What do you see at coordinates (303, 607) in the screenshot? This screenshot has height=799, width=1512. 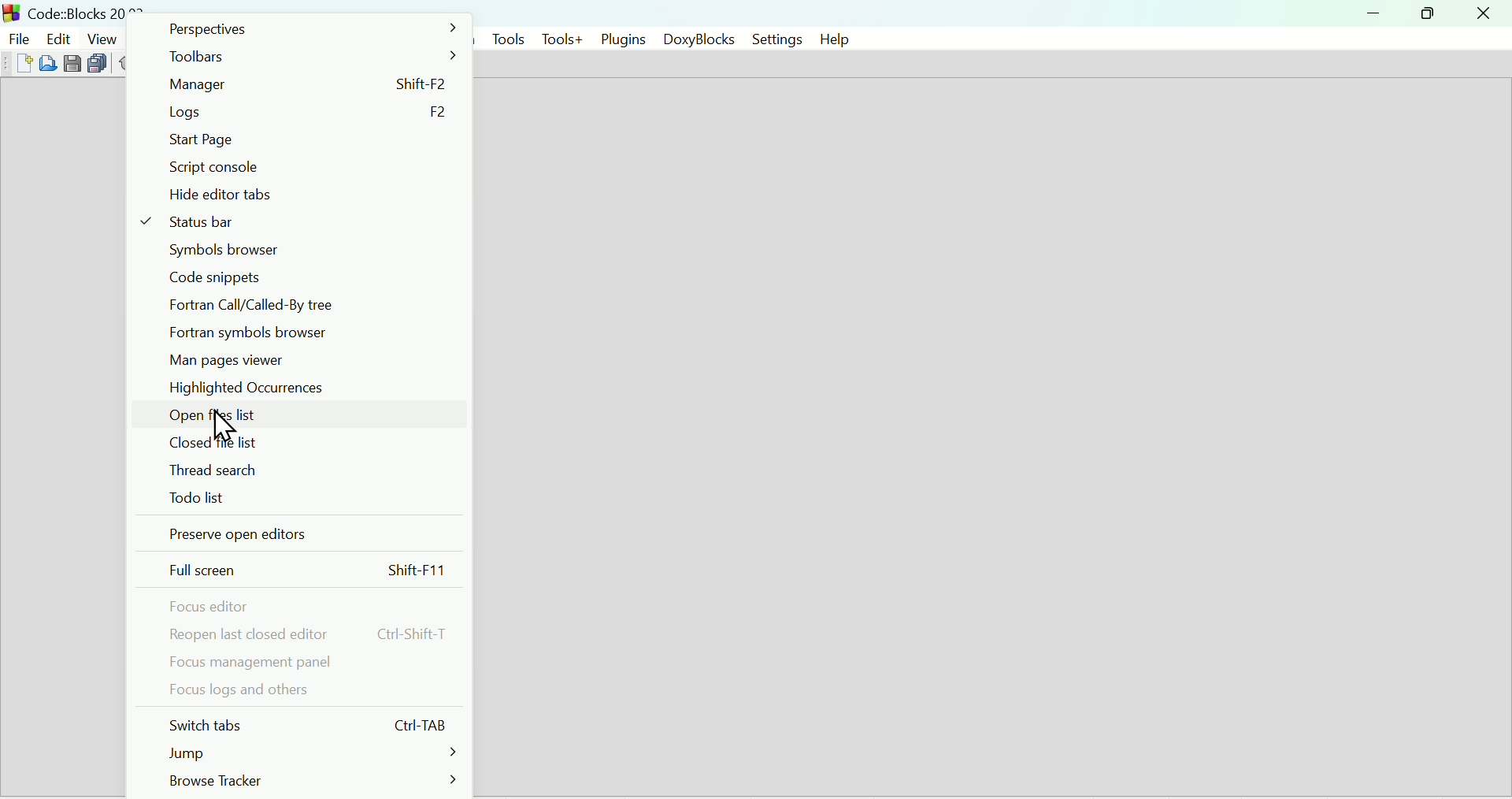 I see `Focus editor` at bounding box center [303, 607].